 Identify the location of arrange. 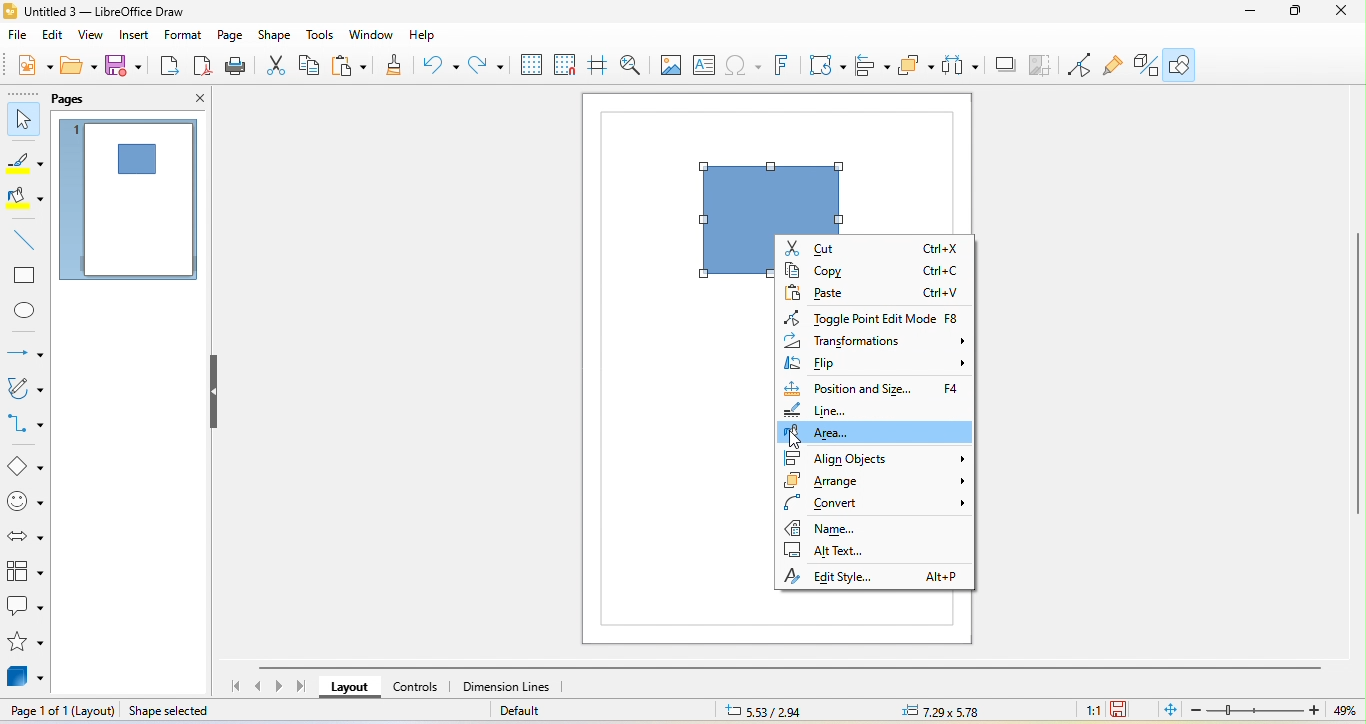
(916, 68).